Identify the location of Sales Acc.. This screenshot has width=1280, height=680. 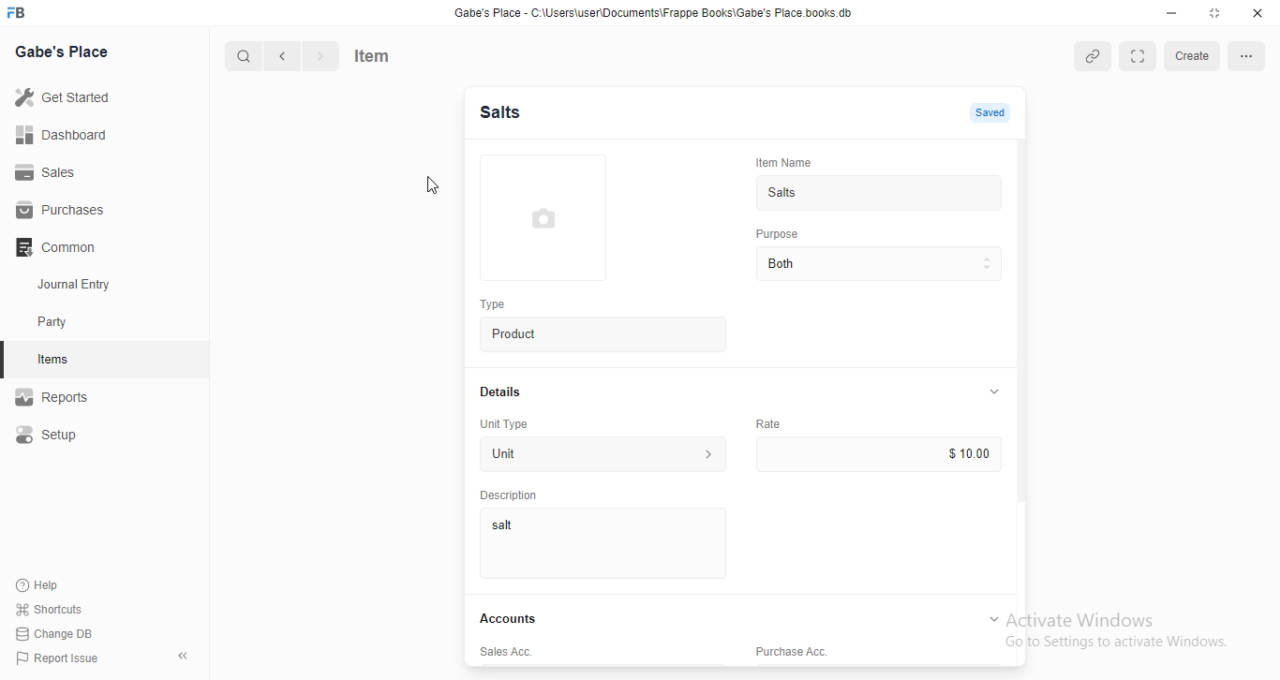
(512, 651).